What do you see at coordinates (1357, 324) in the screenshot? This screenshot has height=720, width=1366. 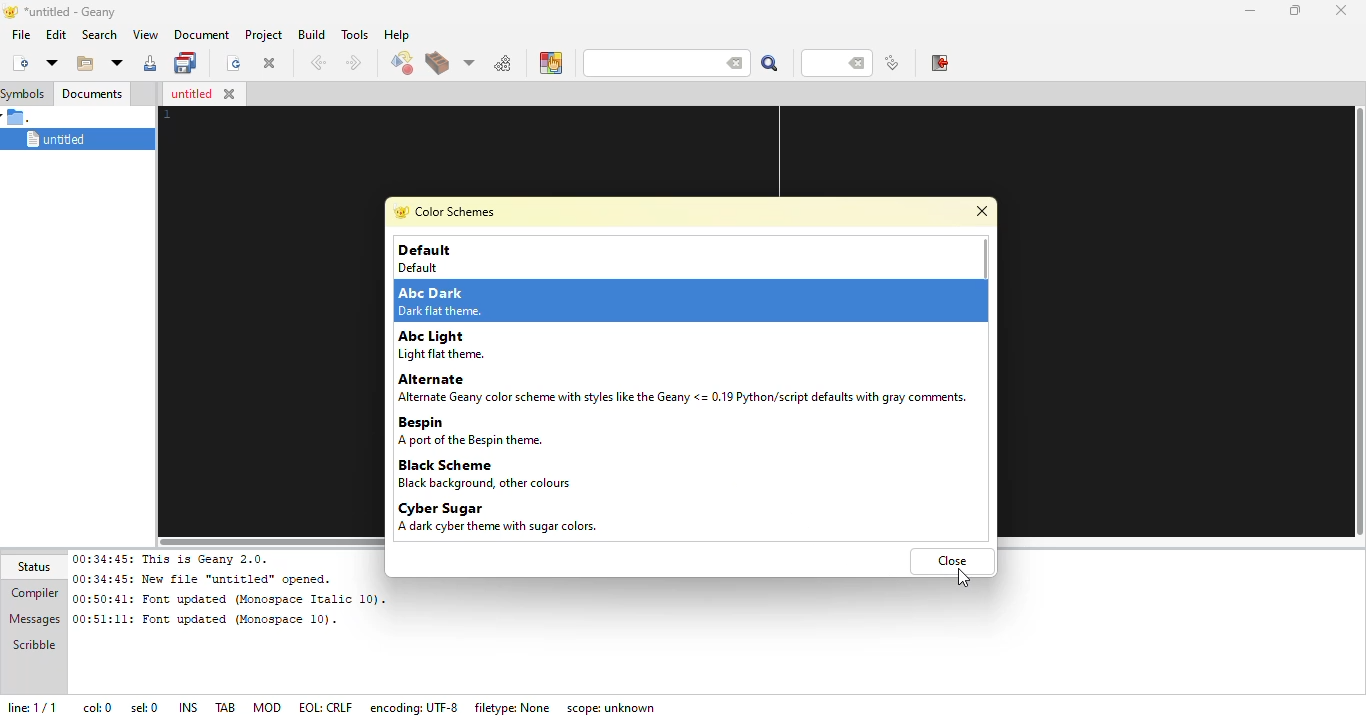 I see `vertical slide bar` at bounding box center [1357, 324].